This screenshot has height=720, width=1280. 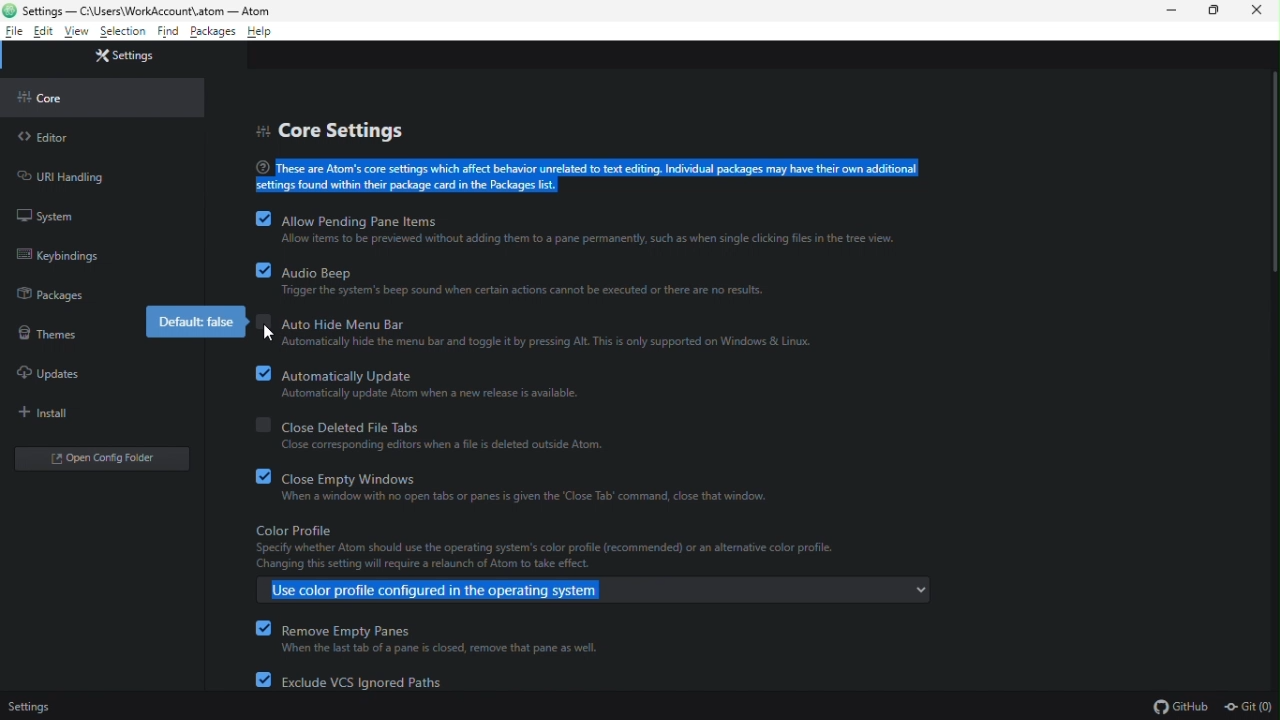 I want to click on C:\Users\WorkAccount\.atom - Atom, so click(x=145, y=9).